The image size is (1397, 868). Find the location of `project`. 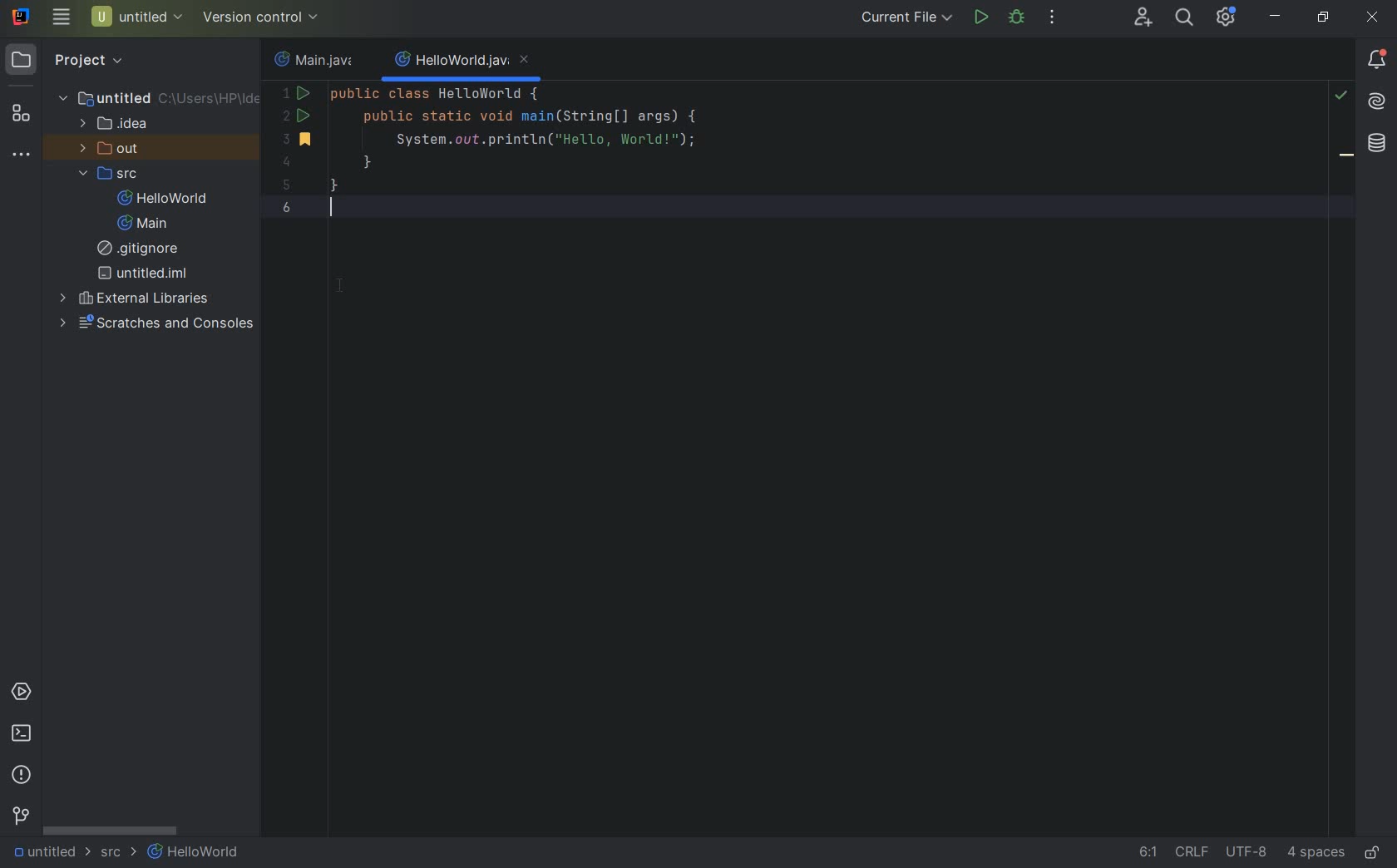

project is located at coordinates (67, 60).